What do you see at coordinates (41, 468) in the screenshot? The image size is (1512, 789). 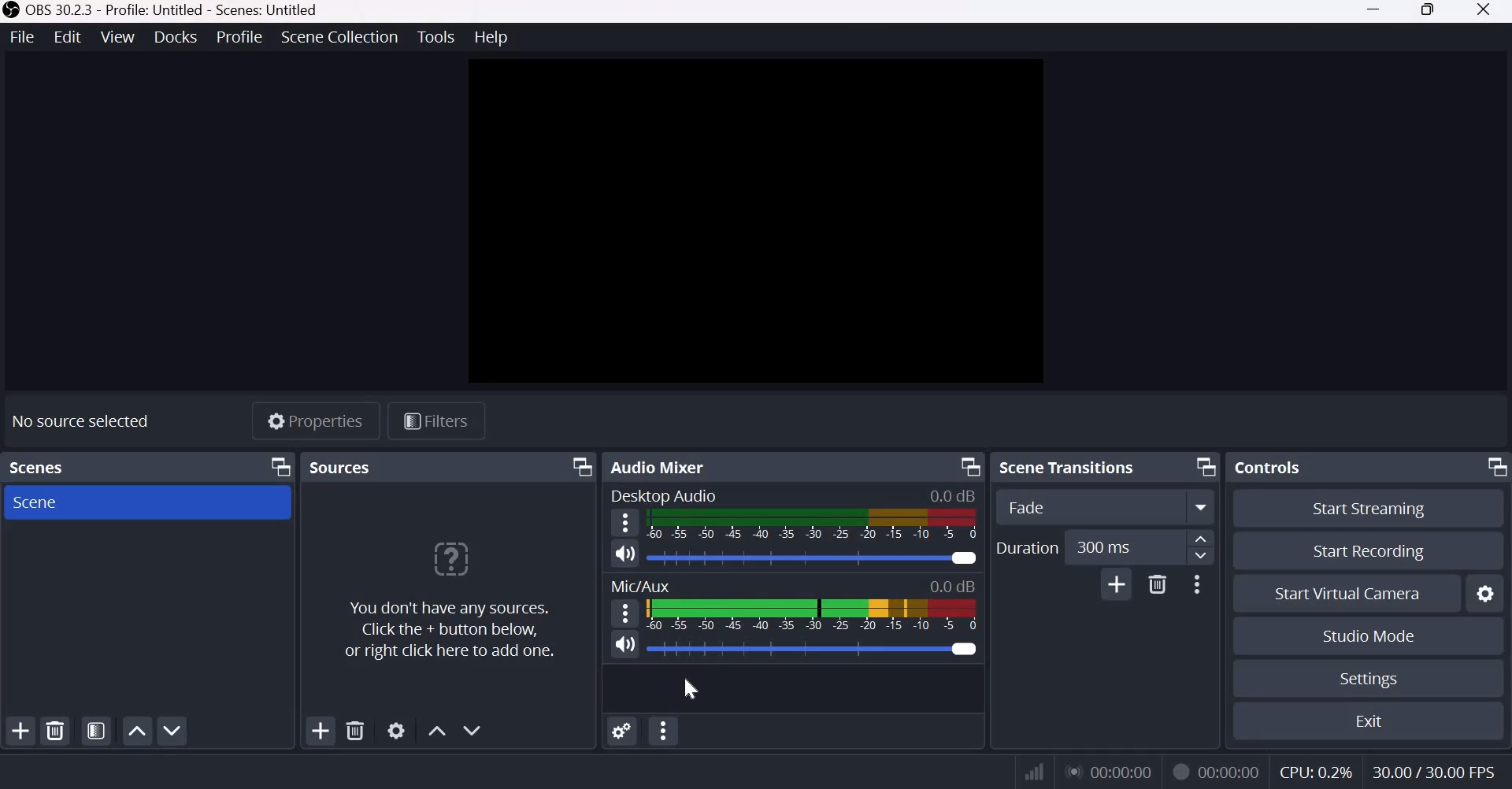 I see `Scenes` at bounding box center [41, 468].